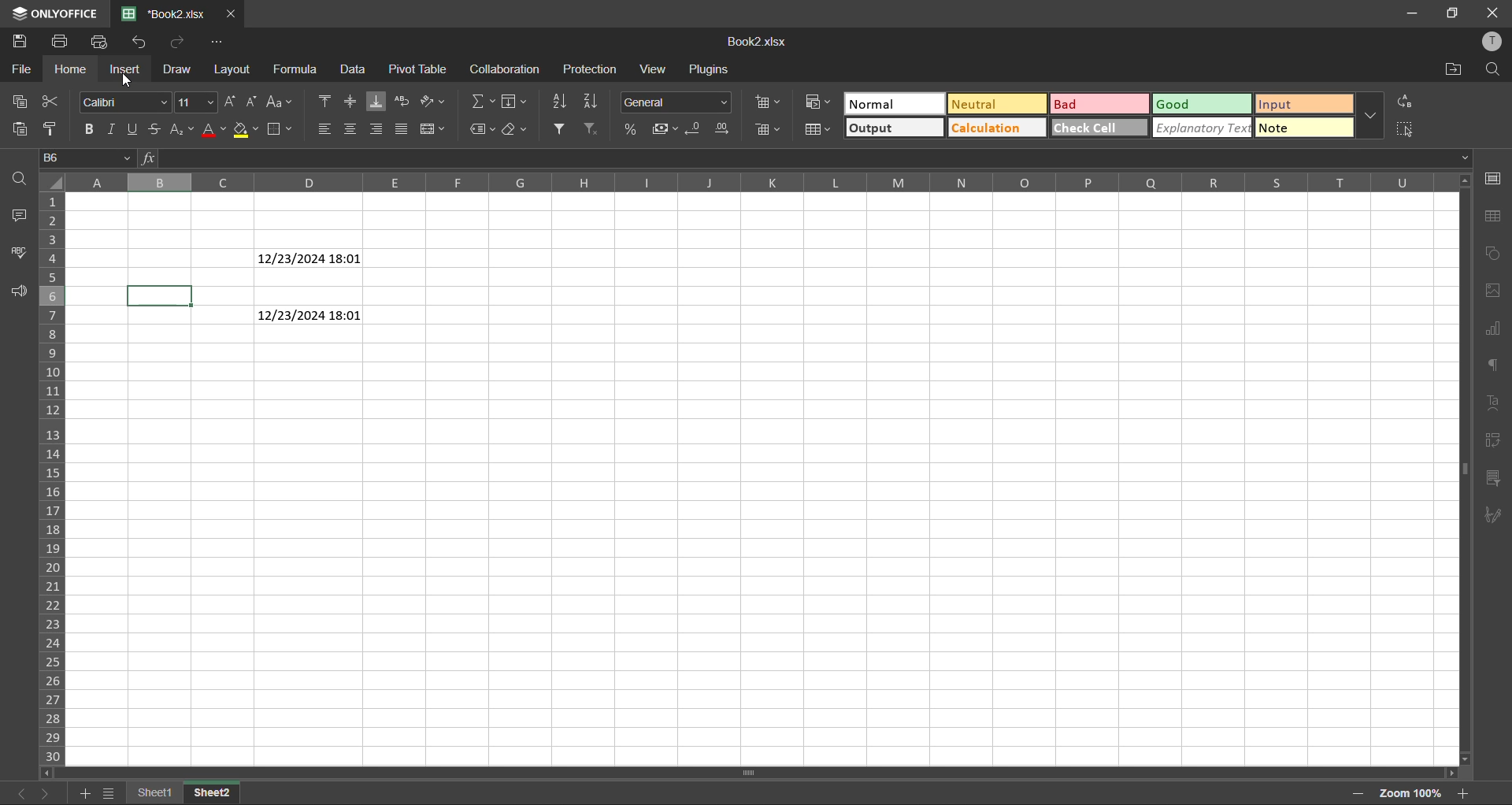  I want to click on table, so click(1493, 217).